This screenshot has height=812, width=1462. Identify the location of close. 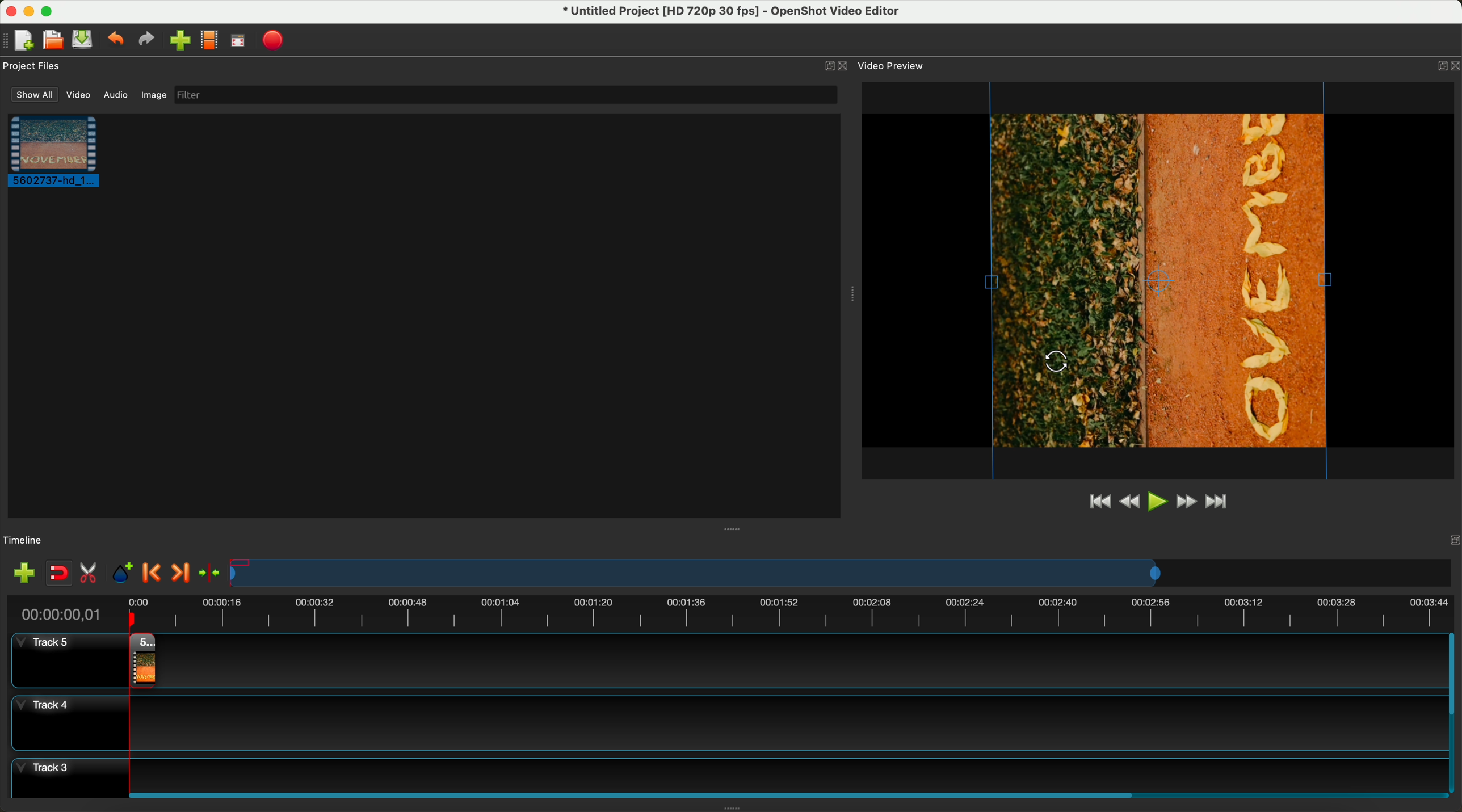
(845, 67).